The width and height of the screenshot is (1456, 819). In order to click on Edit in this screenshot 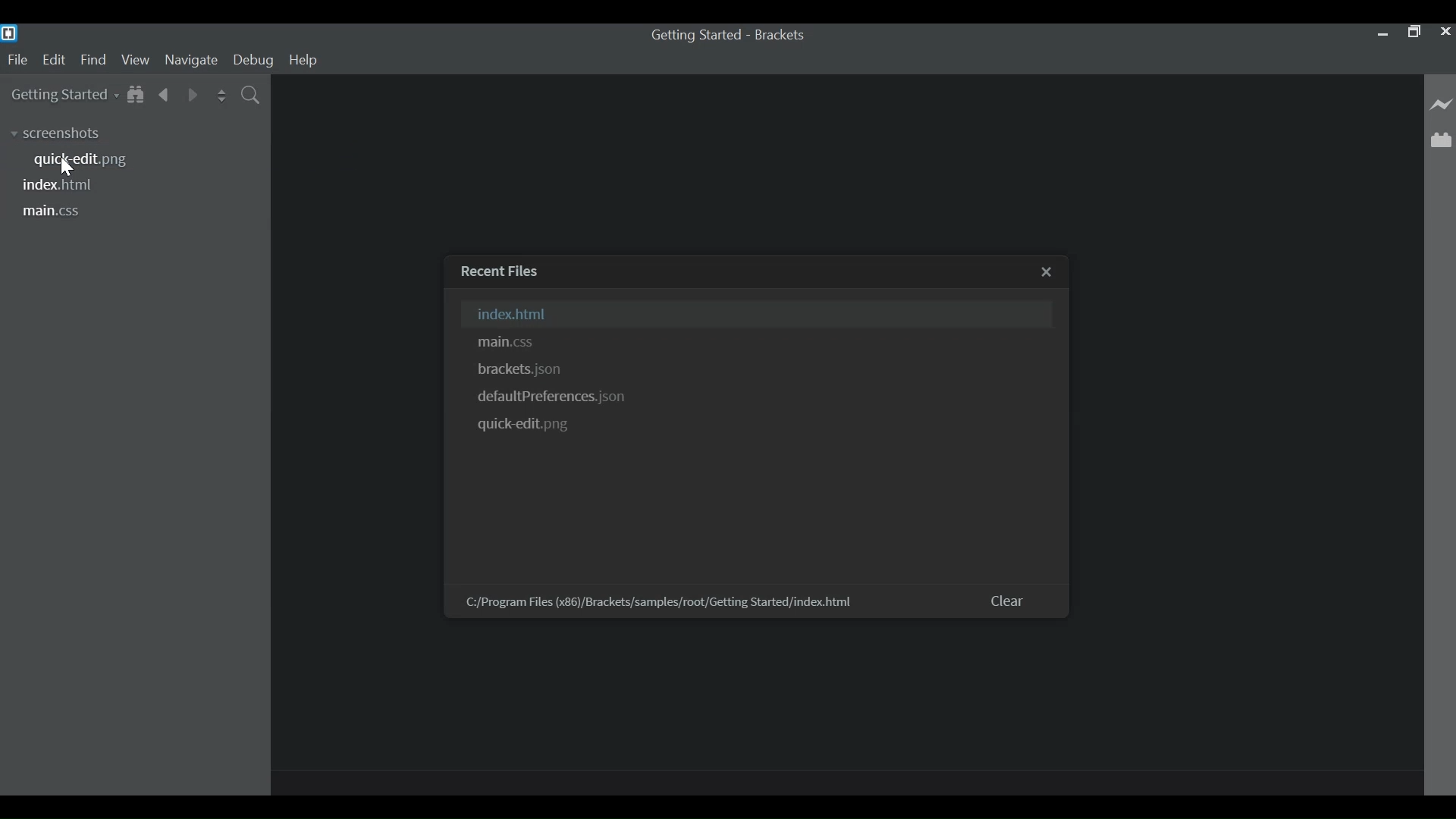, I will do `click(53, 60)`.